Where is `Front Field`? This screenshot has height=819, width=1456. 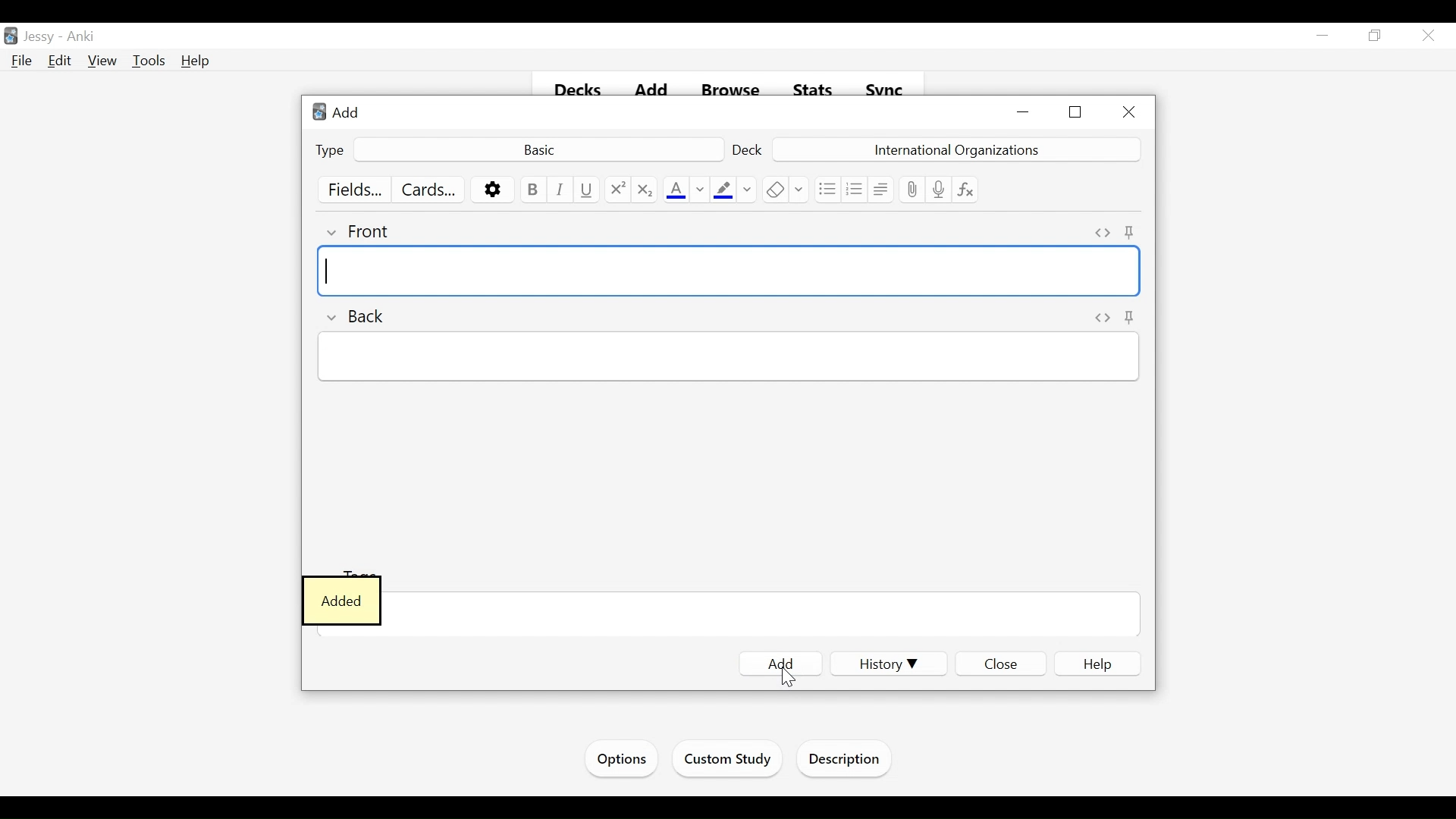 Front Field is located at coordinates (730, 271).